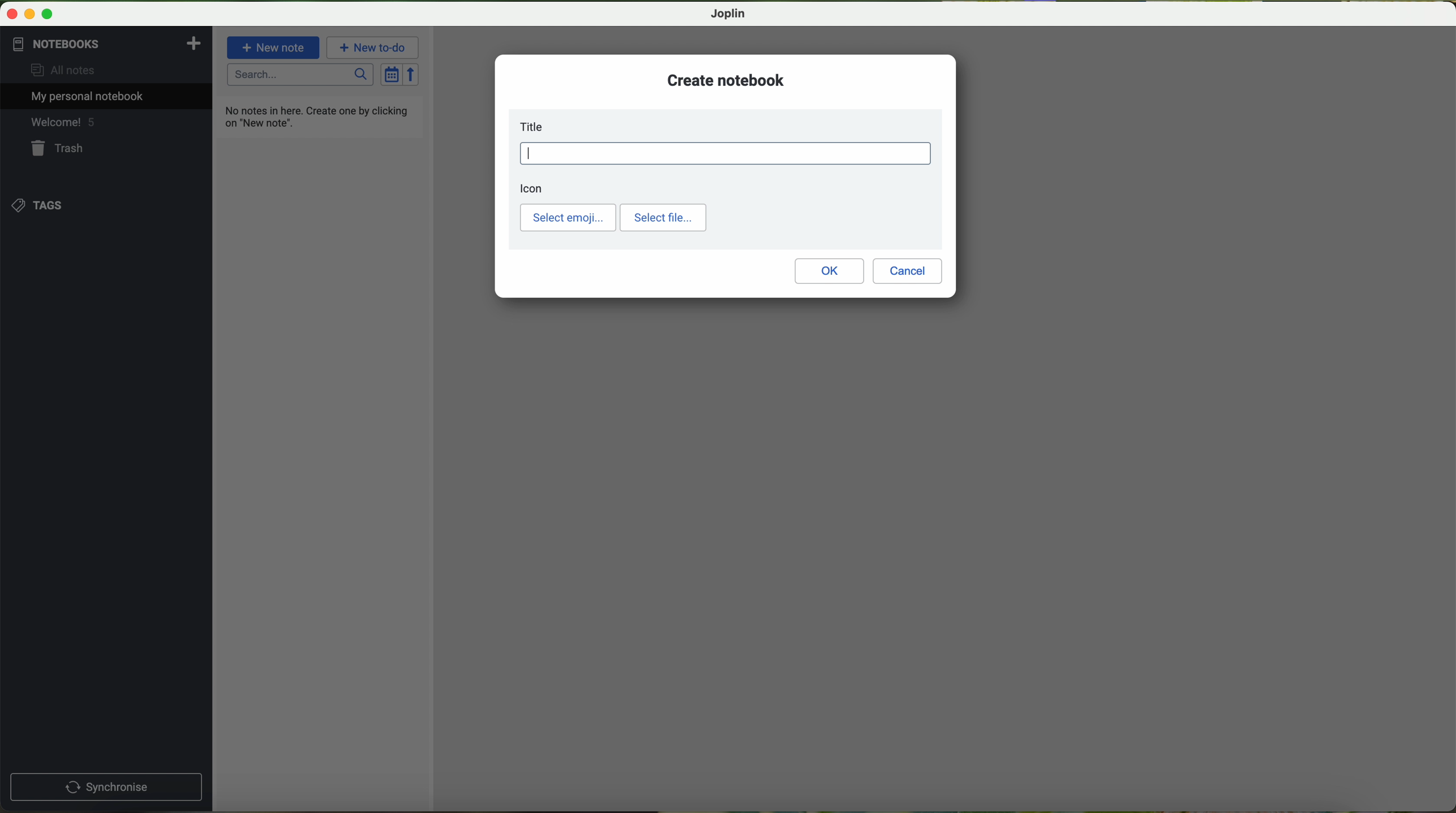 This screenshot has width=1456, height=813. What do you see at coordinates (829, 271) in the screenshot?
I see `OK` at bounding box center [829, 271].